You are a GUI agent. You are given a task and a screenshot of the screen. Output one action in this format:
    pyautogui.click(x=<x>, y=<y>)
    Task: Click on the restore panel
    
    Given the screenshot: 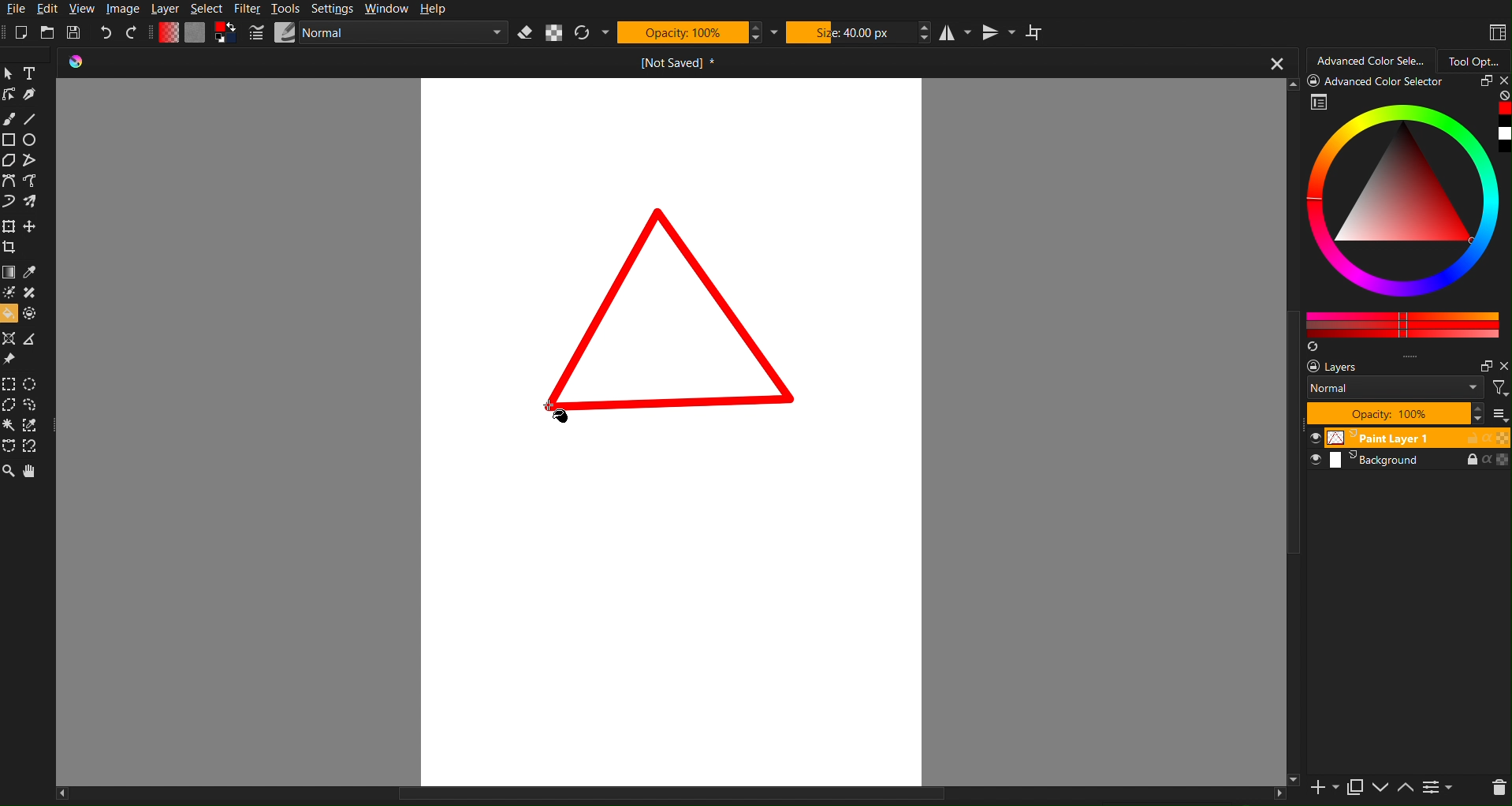 What is the action you would take?
    pyautogui.click(x=1483, y=83)
    